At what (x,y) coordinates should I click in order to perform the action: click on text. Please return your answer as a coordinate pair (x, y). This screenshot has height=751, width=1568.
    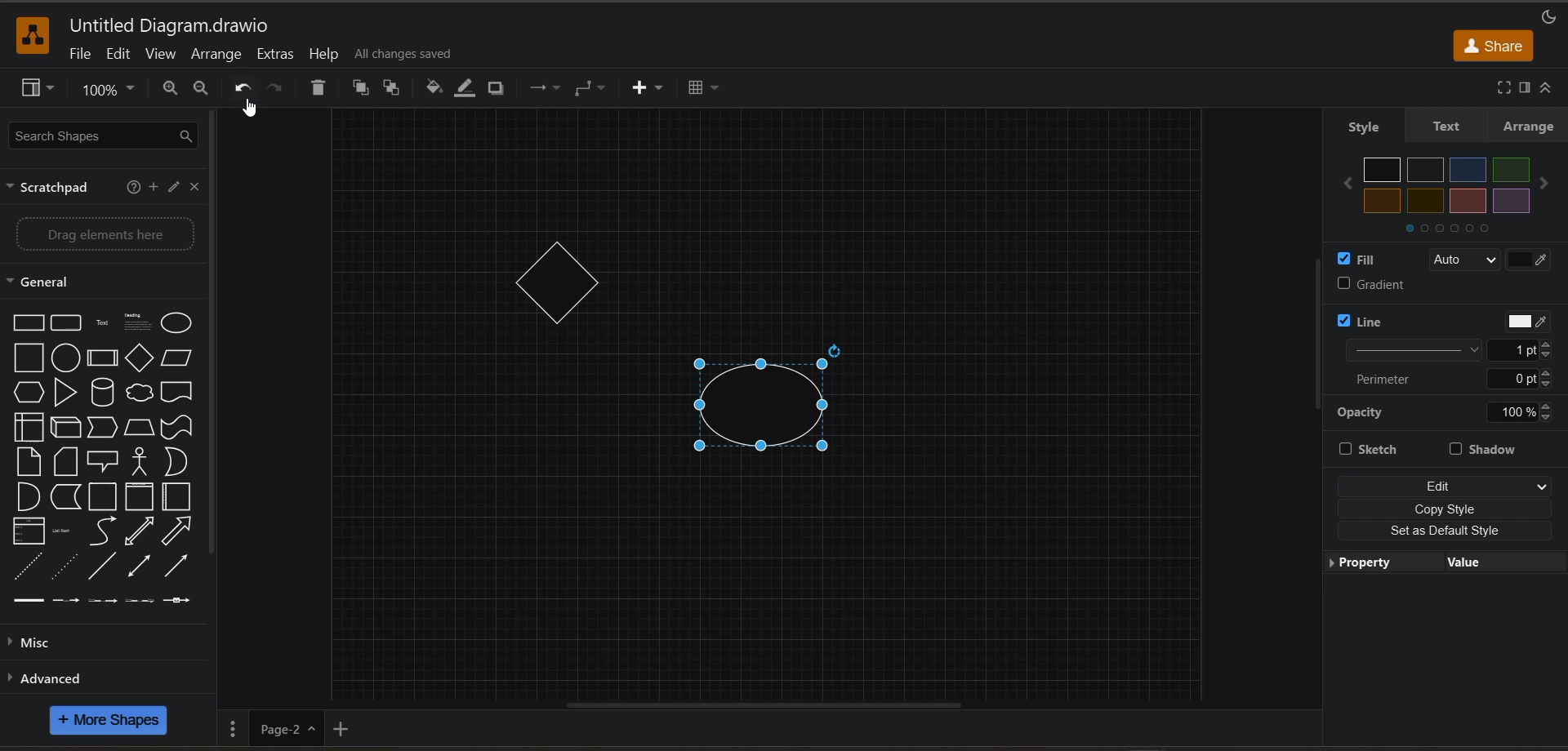
    Looking at the image, I should click on (1450, 128).